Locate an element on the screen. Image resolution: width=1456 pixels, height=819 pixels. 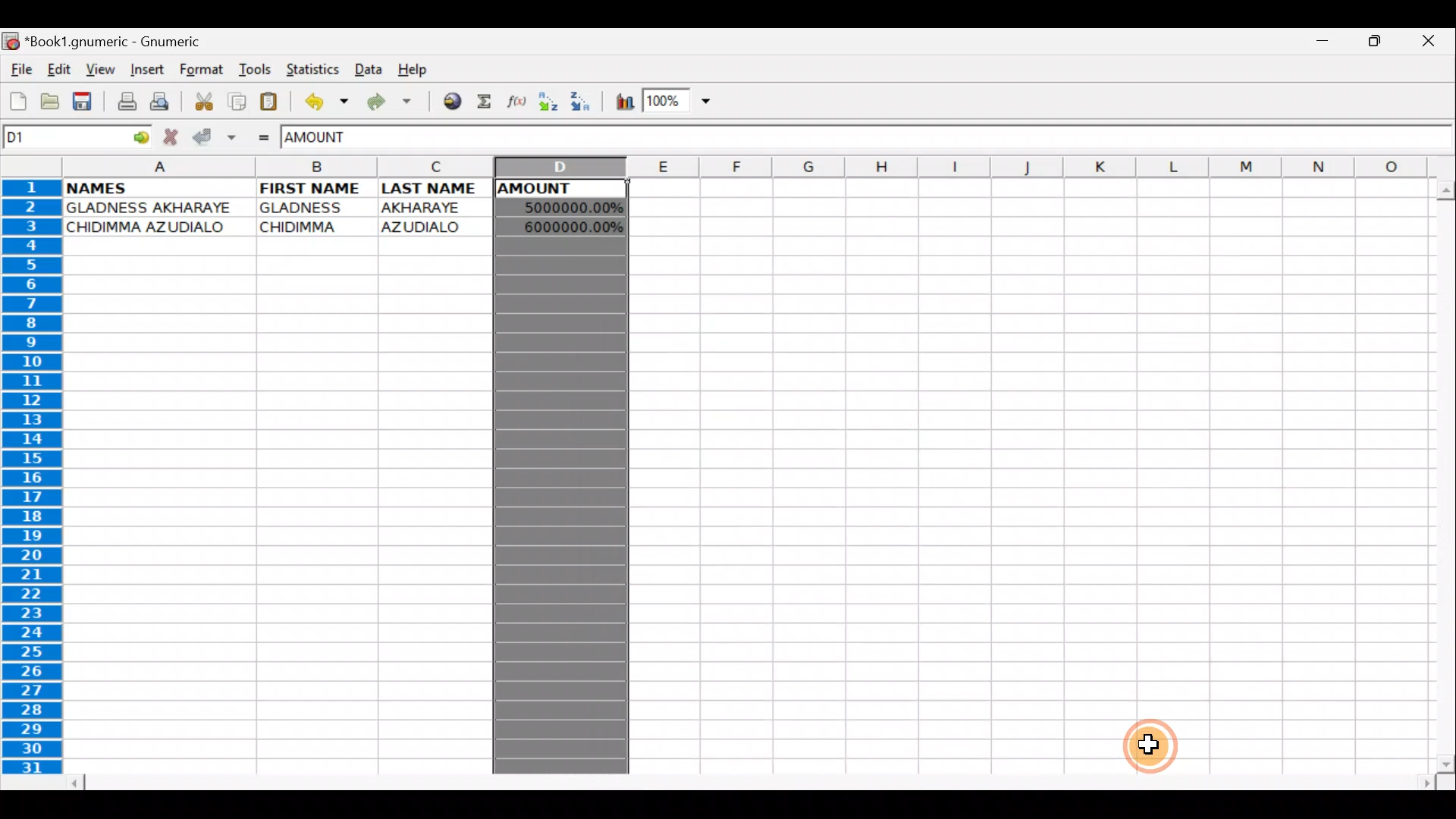
Open a file is located at coordinates (46, 104).